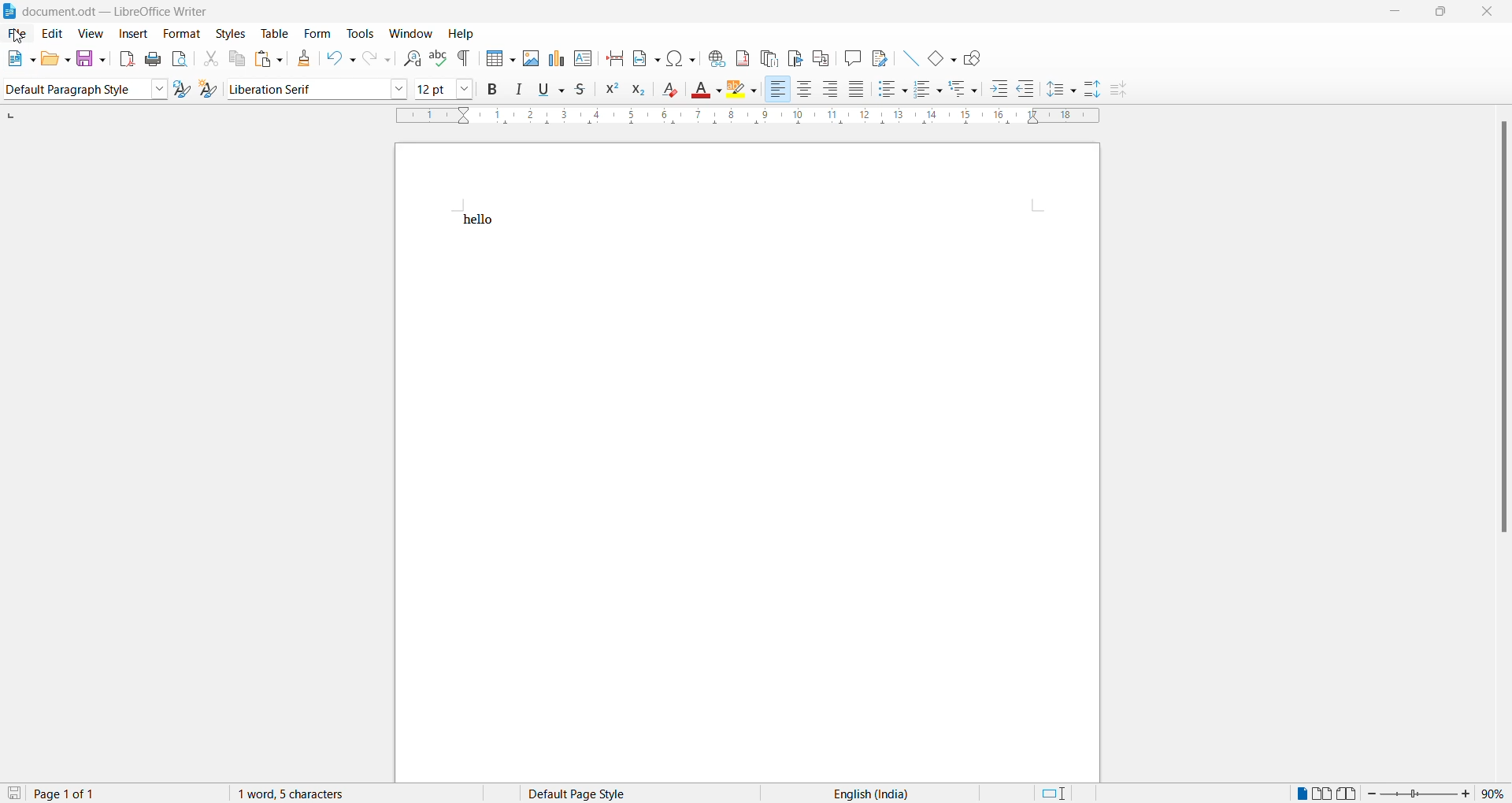 The height and width of the screenshot is (803, 1512). I want to click on Selected pages style, so click(590, 794).